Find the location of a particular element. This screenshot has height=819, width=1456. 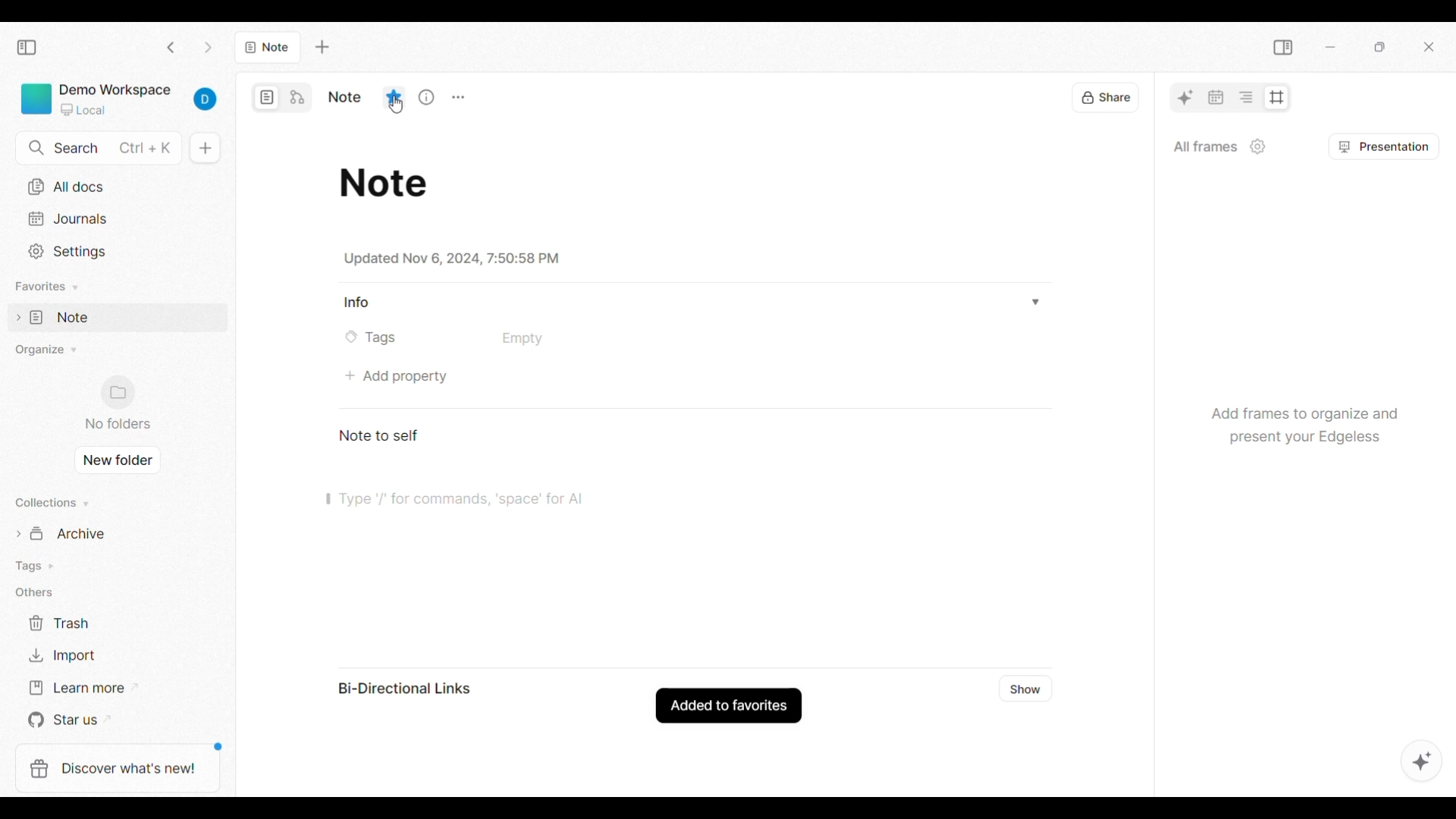

Show/Hide links is located at coordinates (1027, 689).